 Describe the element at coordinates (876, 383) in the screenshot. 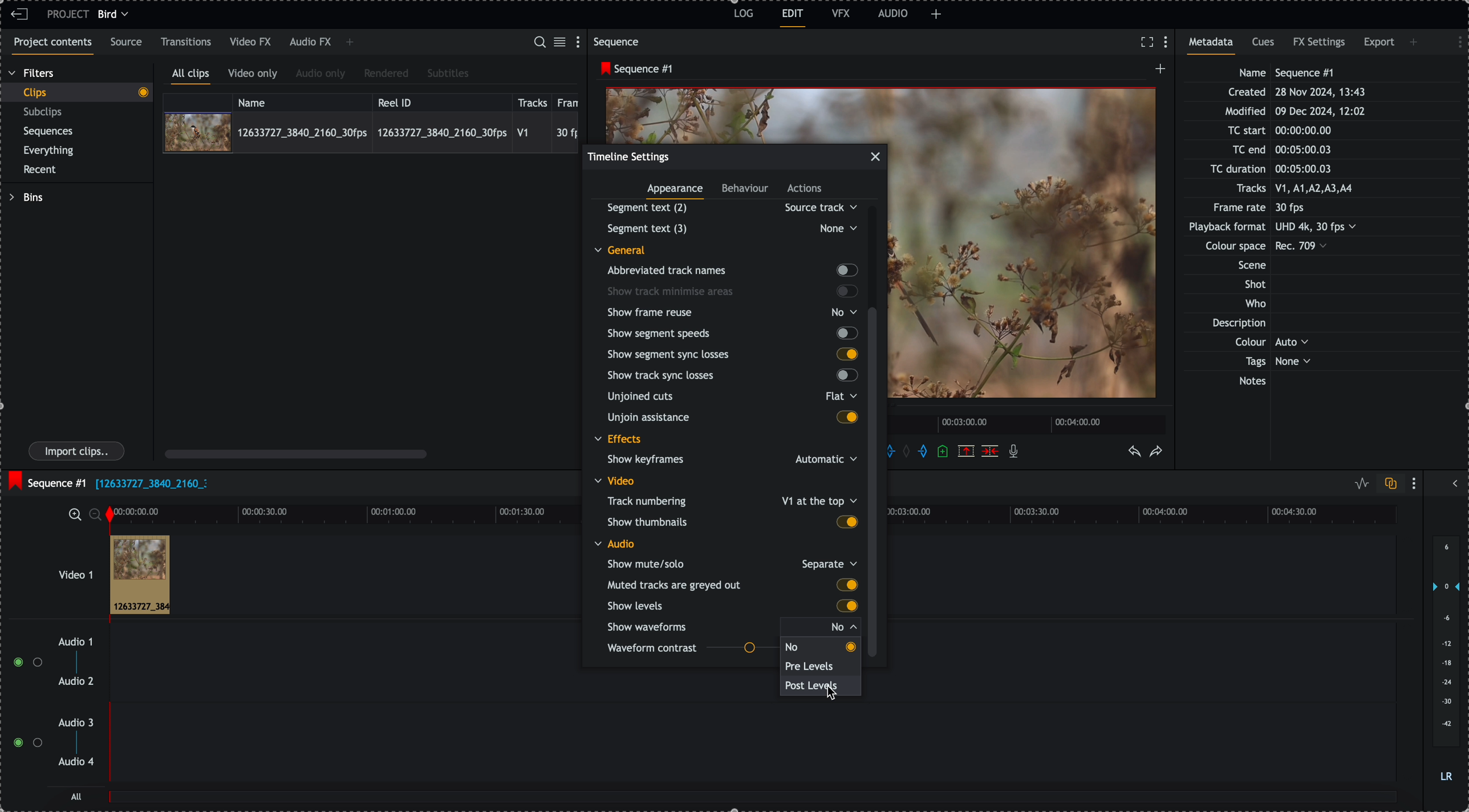

I see `click on scroll bar` at that location.